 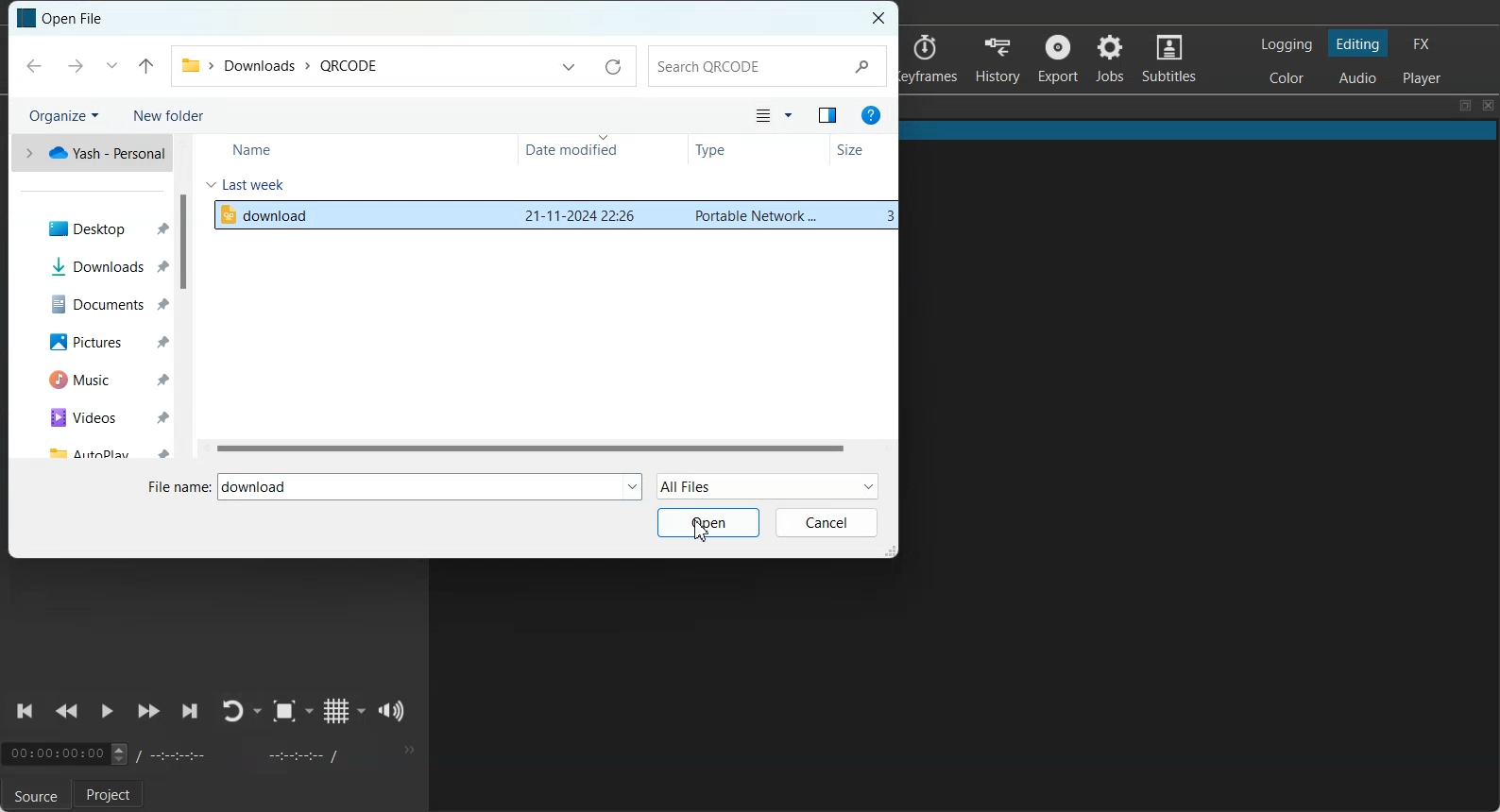 What do you see at coordinates (1169, 57) in the screenshot?
I see `Subtitles` at bounding box center [1169, 57].